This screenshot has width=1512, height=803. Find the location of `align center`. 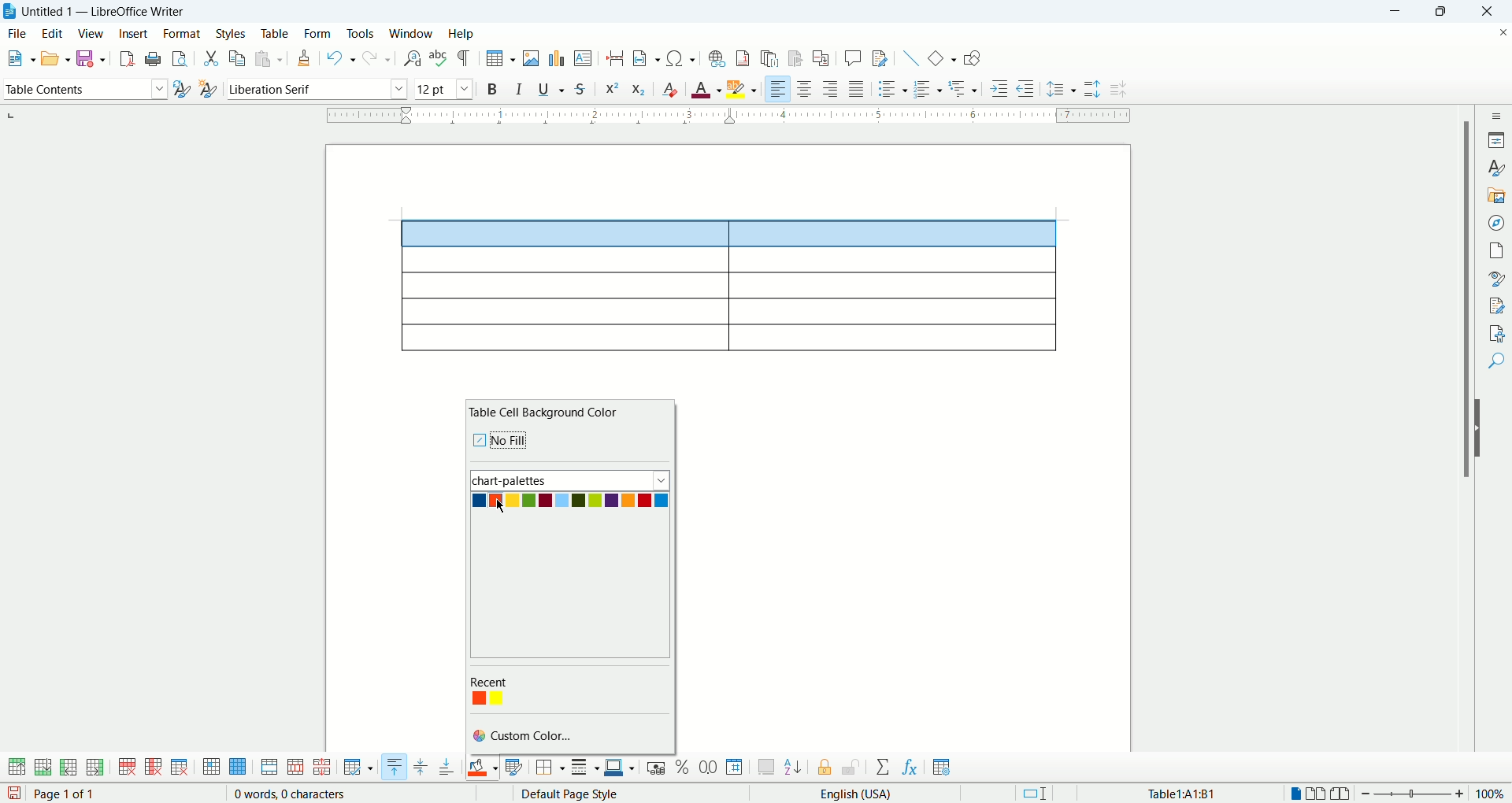

align center is located at coordinates (804, 88).